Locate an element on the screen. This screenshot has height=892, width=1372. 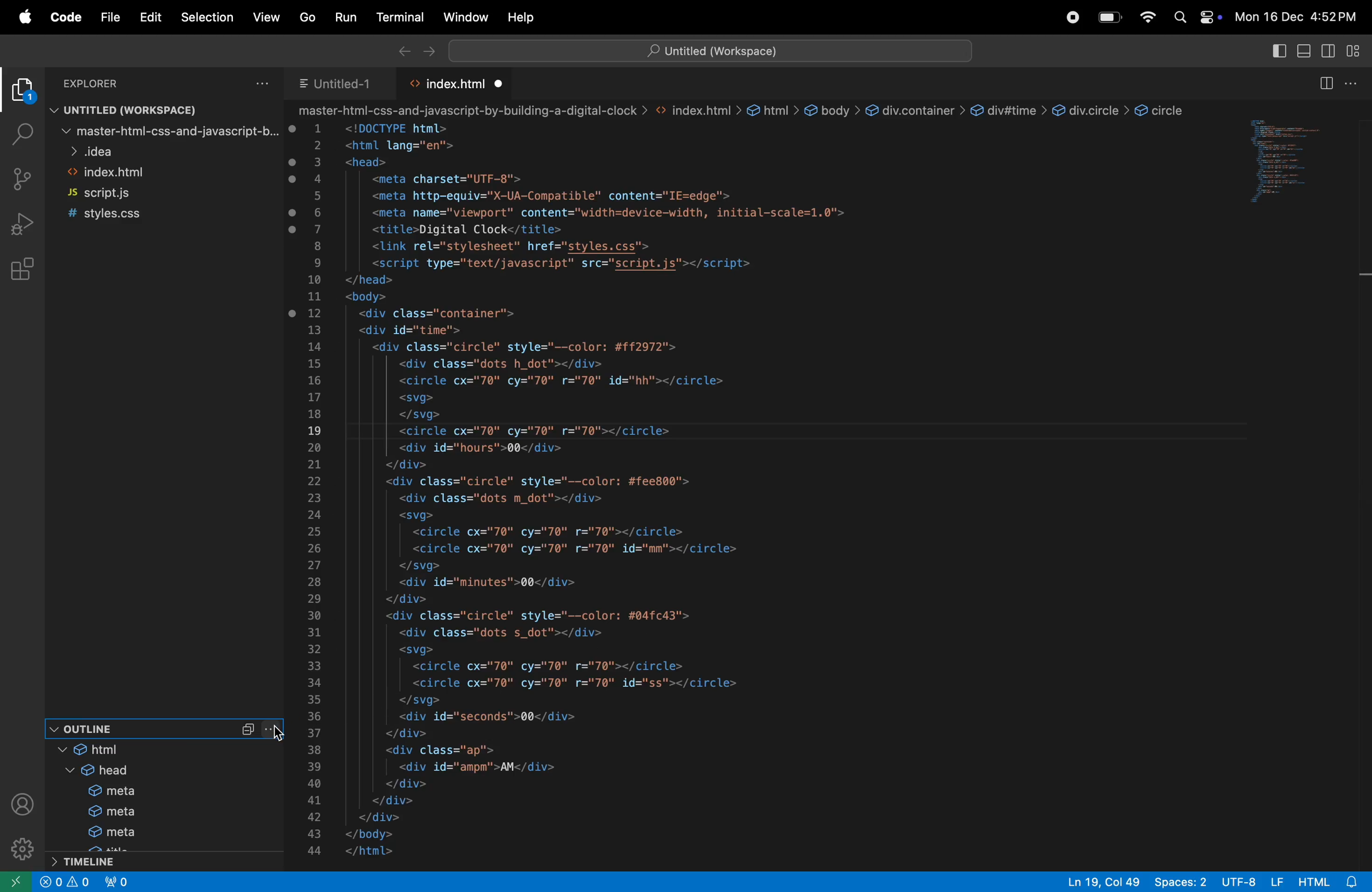
untitled is located at coordinates (342, 86).